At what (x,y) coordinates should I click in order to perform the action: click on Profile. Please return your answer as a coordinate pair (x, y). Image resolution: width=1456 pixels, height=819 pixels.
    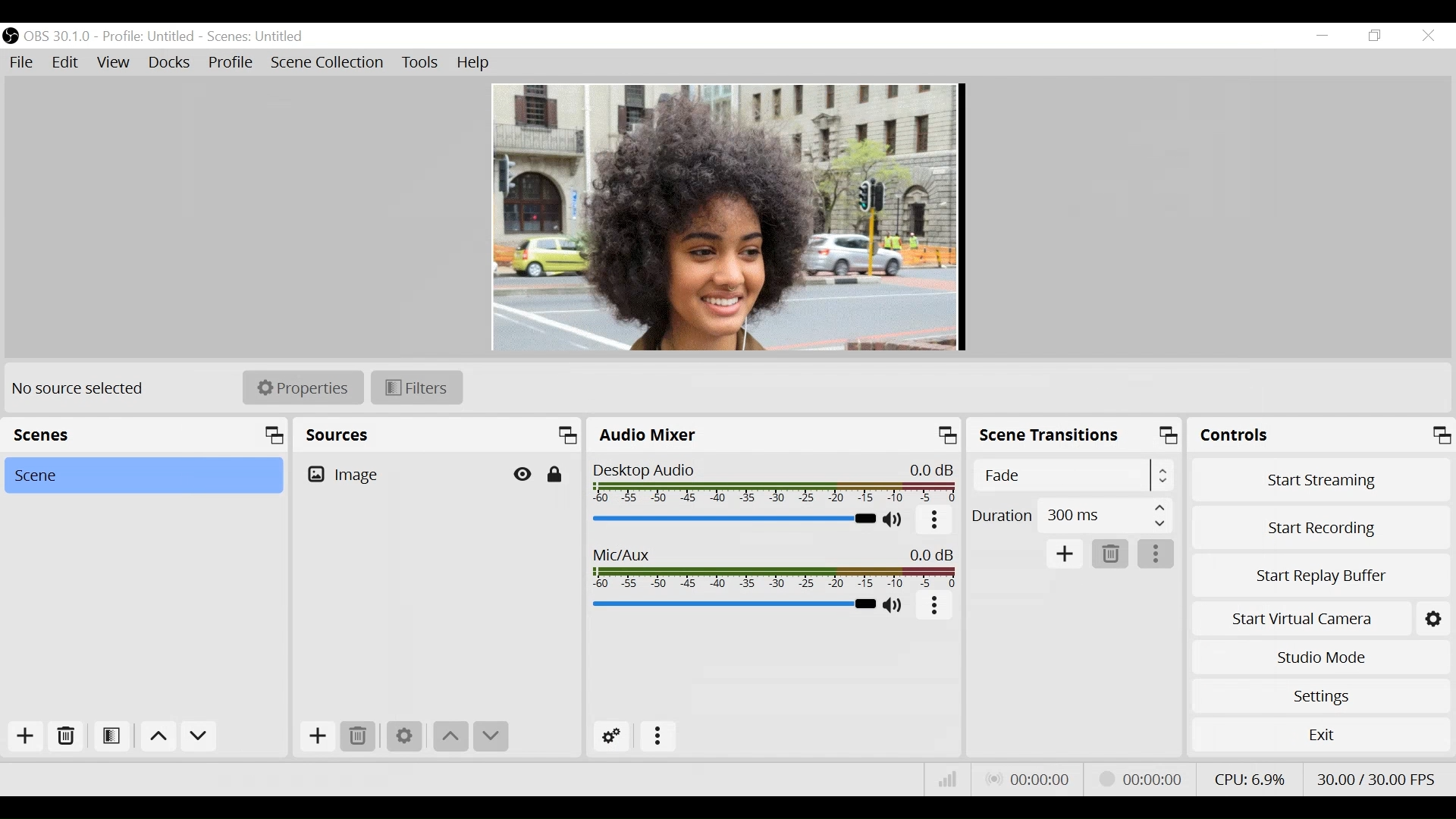
    Looking at the image, I should click on (149, 37).